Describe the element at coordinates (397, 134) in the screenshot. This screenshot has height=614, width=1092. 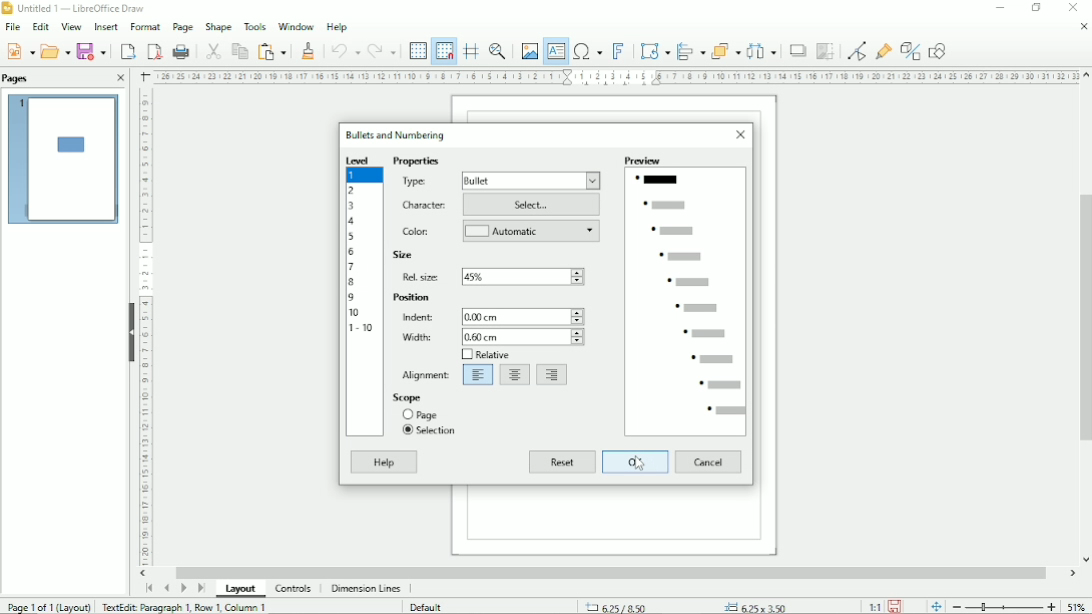
I see `Bullets and numbering` at that location.